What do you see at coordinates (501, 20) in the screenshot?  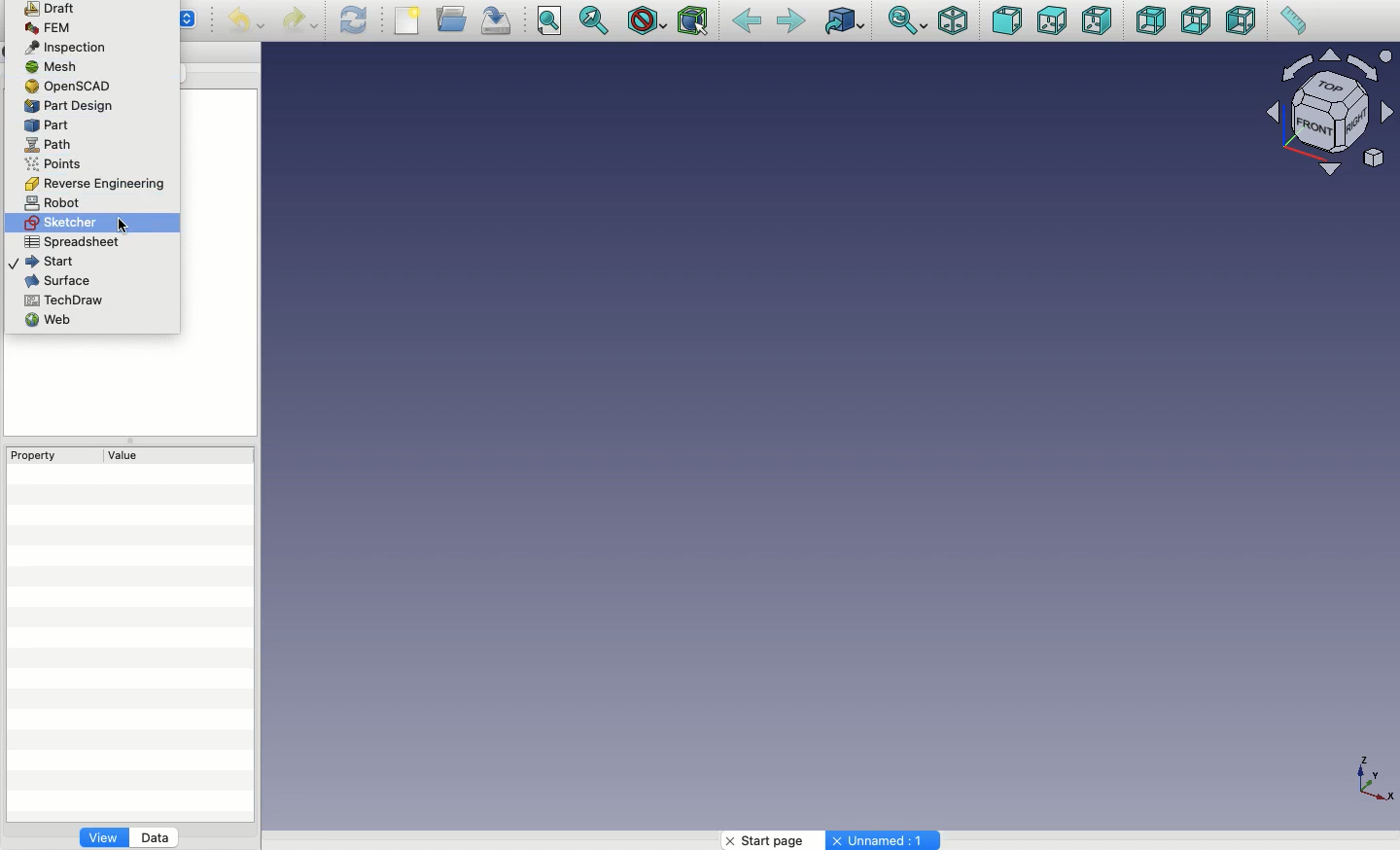 I see `Save` at bounding box center [501, 20].